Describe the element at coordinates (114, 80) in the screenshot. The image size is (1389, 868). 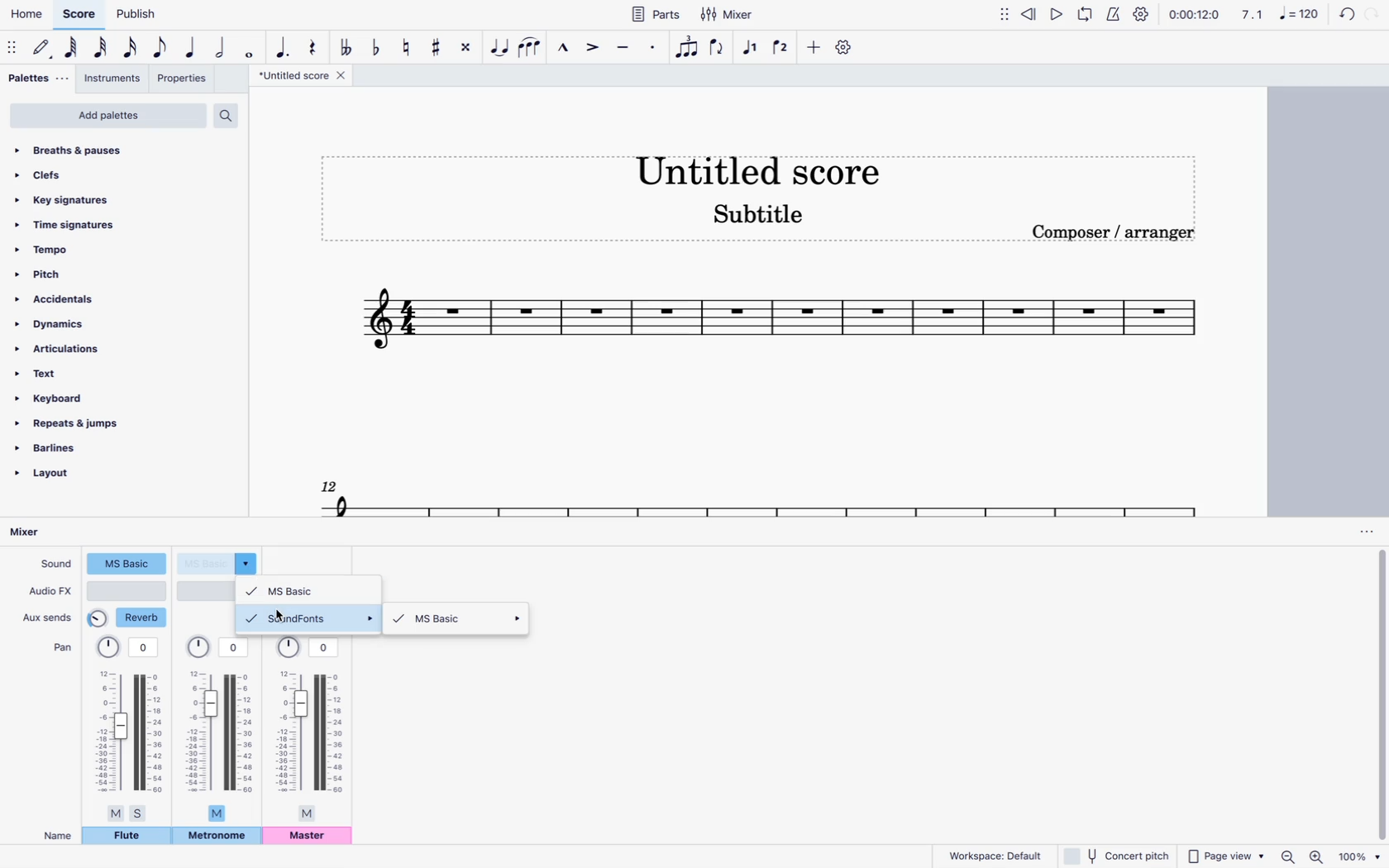
I see `instruments` at that location.